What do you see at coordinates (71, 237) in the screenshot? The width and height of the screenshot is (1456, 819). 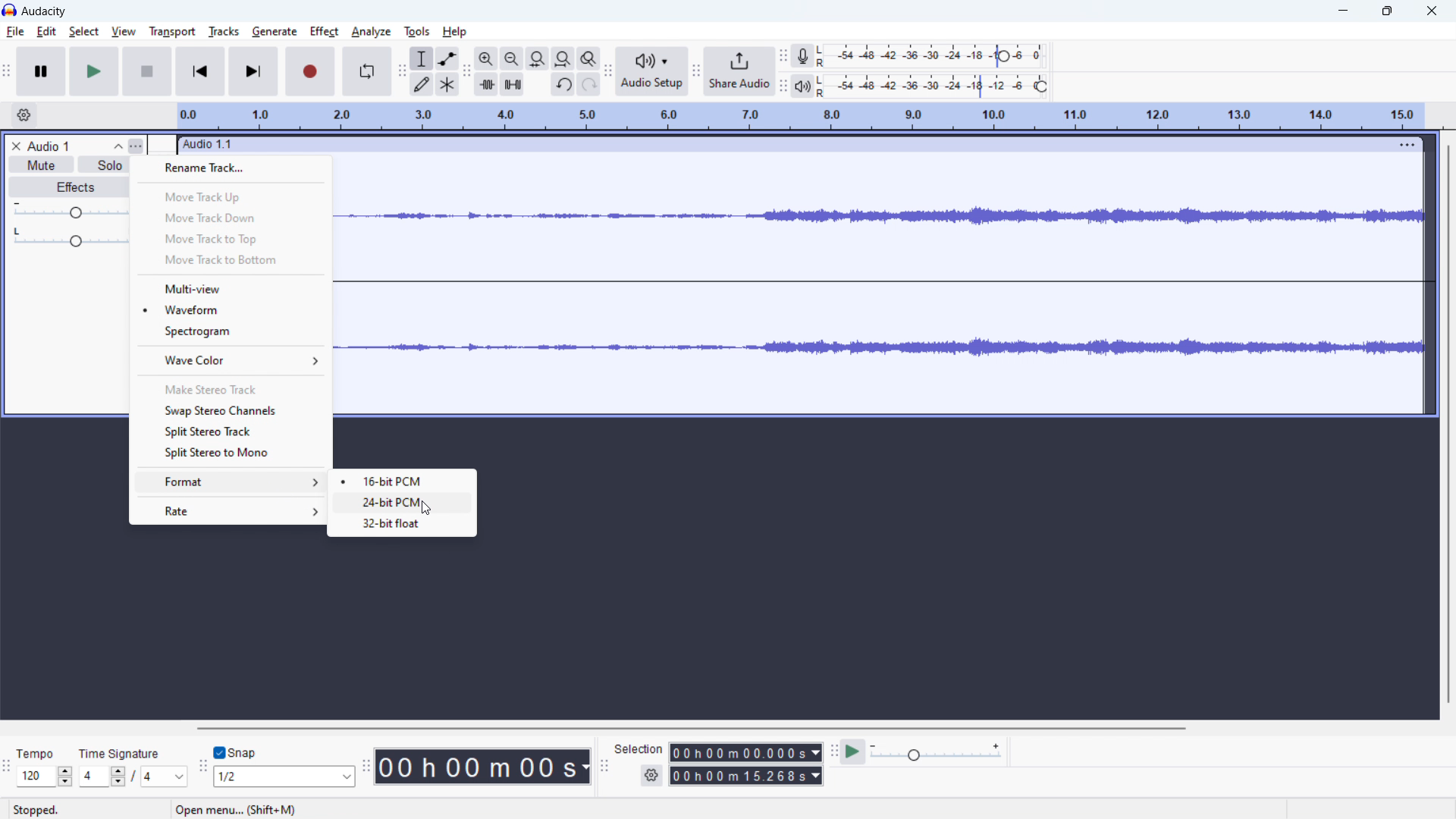 I see `pan: center` at bounding box center [71, 237].